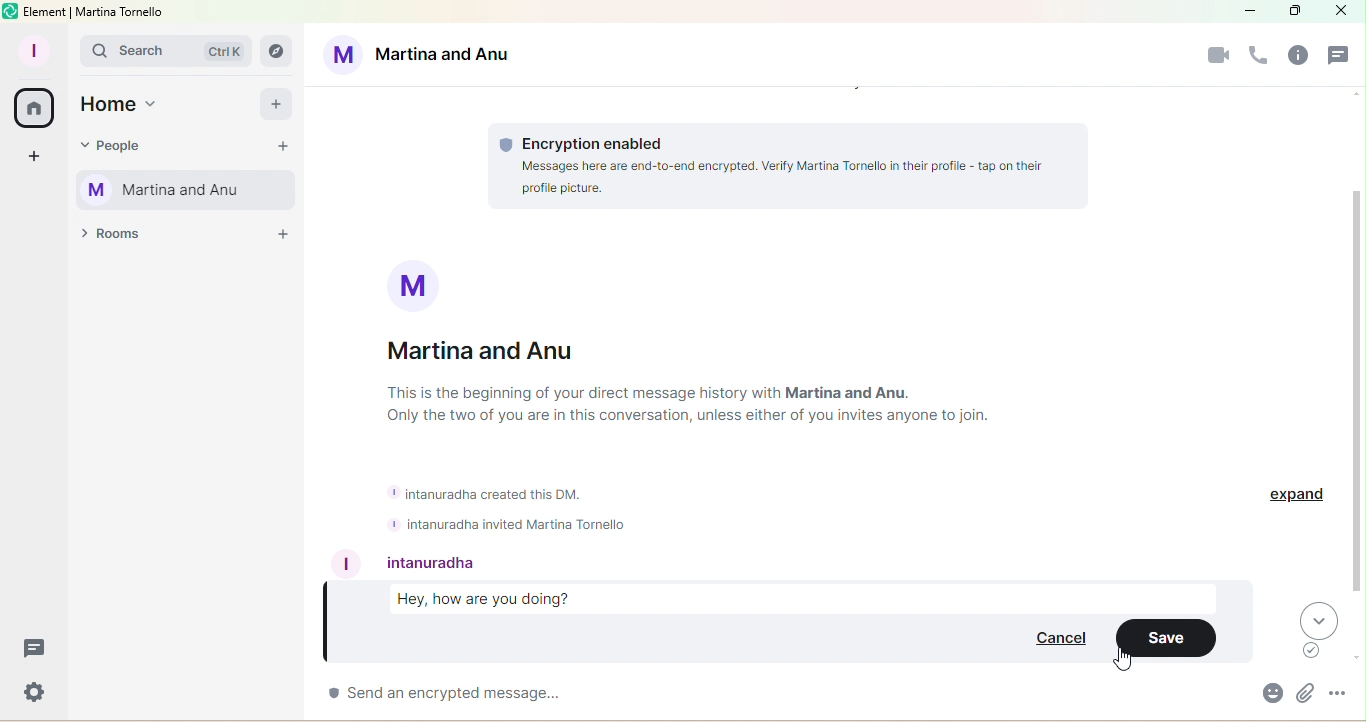  Describe the element at coordinates (507, 524) in the screenshot. I see `+ intanuradha invited Martina Tornello` at that location.